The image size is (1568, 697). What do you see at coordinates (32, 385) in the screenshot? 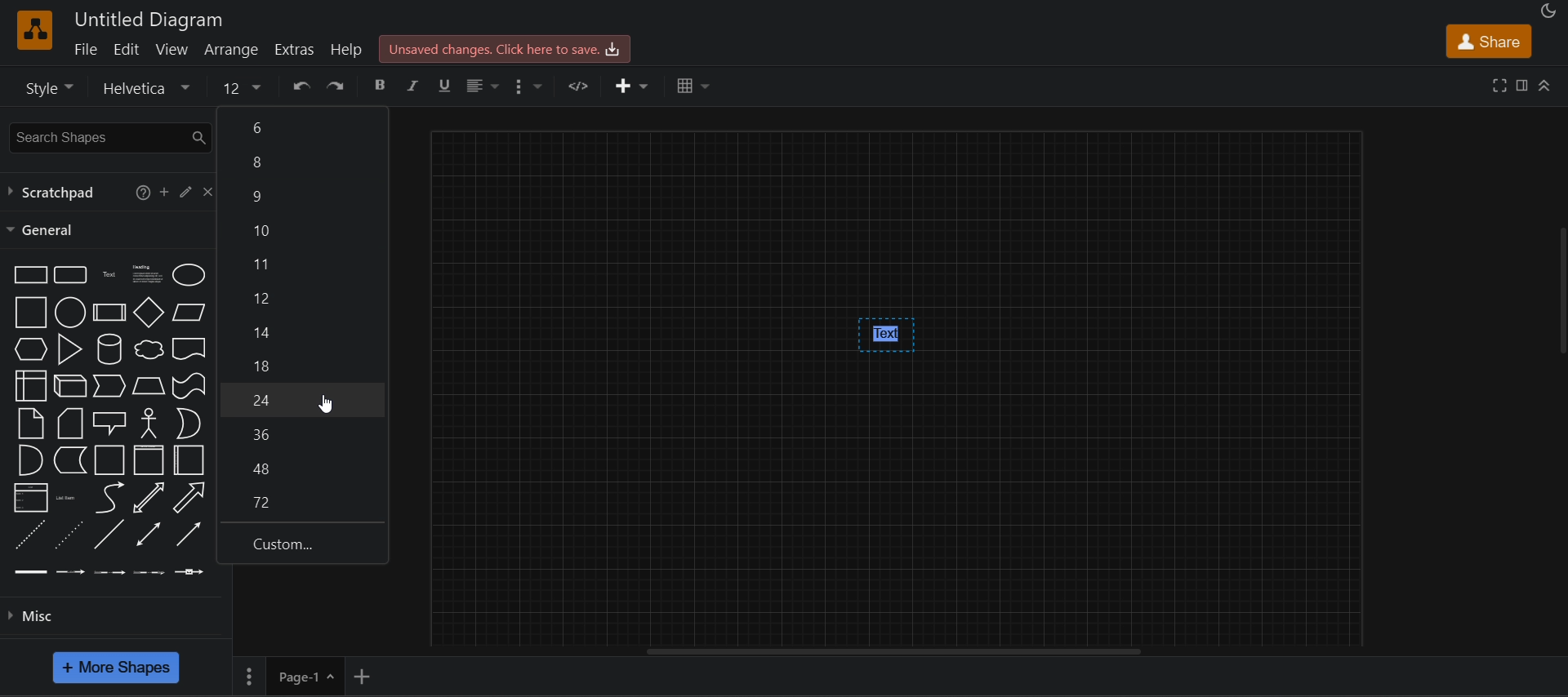
I see `Internal storage` at bounding box center [32, 385].